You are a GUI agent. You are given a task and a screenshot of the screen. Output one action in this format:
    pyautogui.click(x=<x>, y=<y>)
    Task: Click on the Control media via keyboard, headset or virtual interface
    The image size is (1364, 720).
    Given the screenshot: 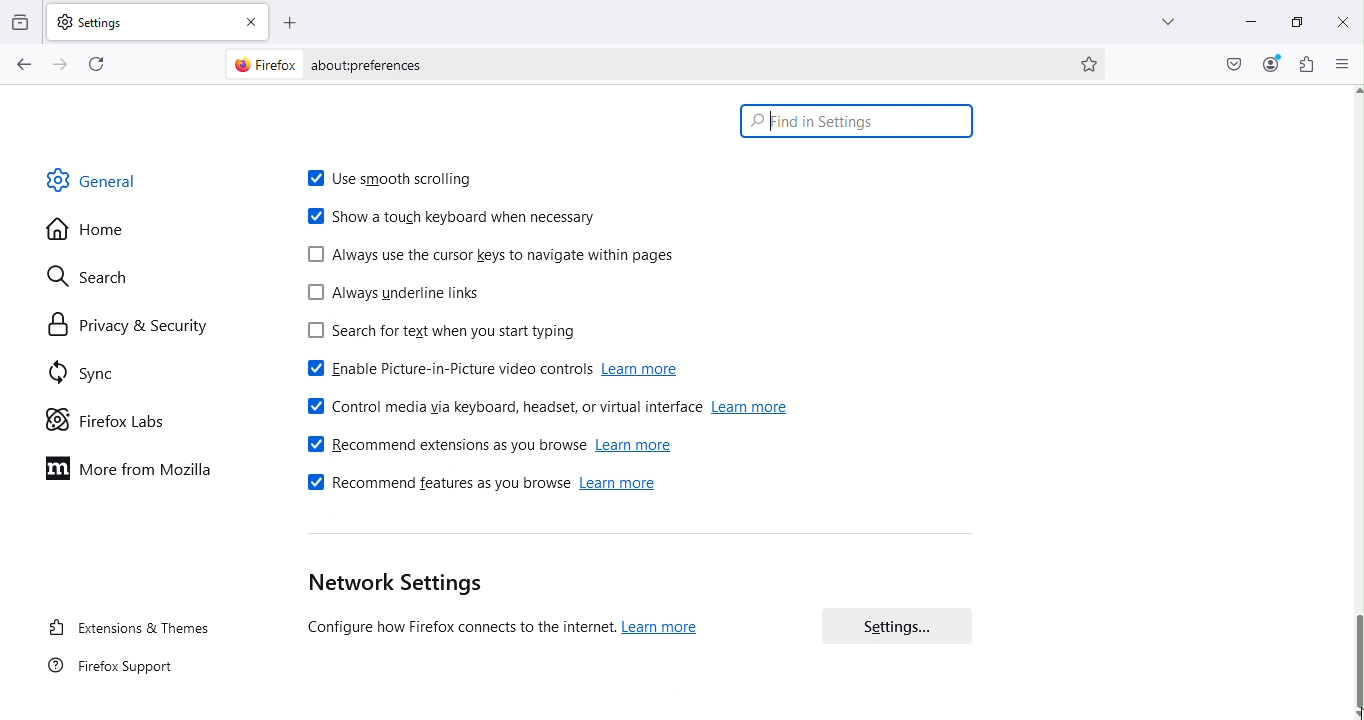 What is the action you would take?
    pyautogui.click(x=501, y=404)
    